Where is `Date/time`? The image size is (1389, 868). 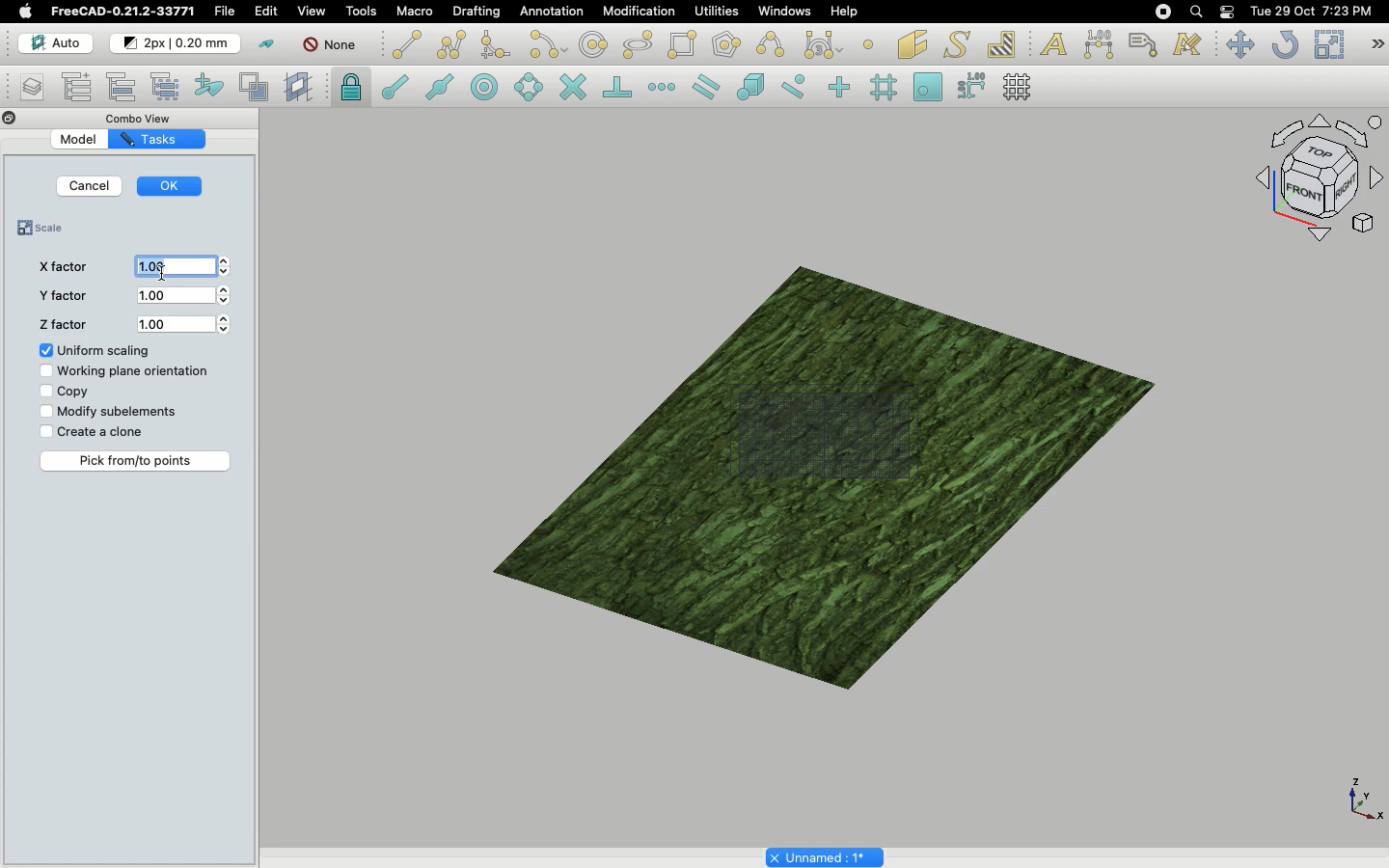
Date/time is located at coordinates (1312, 12).